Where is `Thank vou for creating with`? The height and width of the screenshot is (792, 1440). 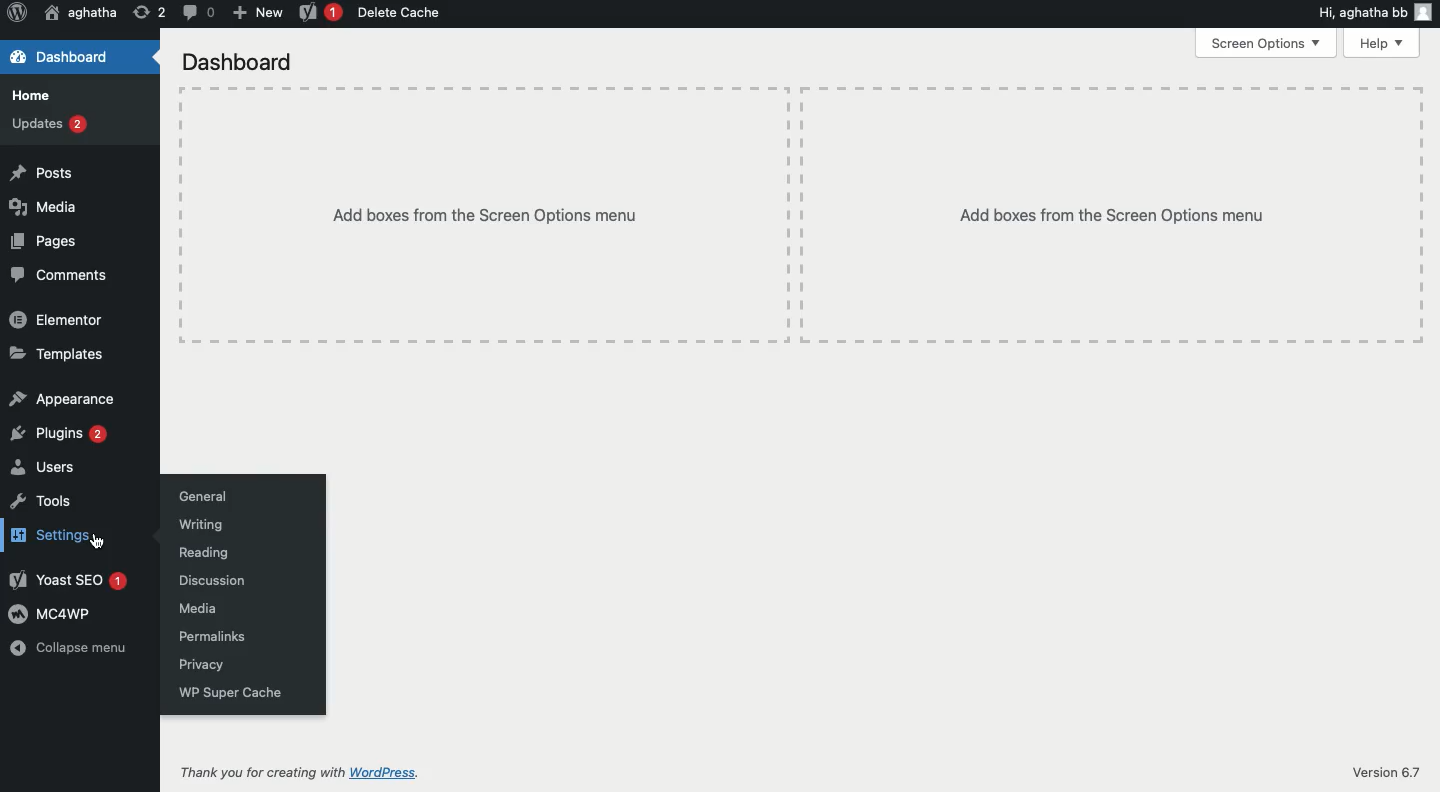 Thank vou for creating with is located at coordinates (263, 771).